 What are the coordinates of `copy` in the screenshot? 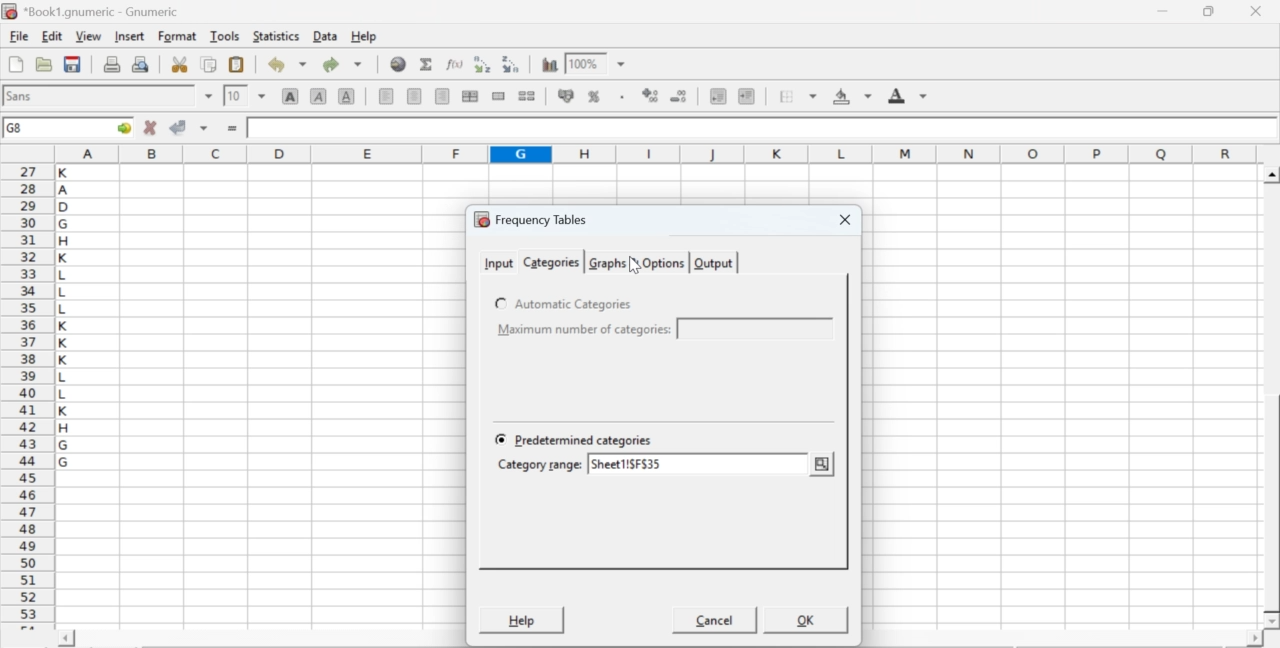 It's located at (210, 64).